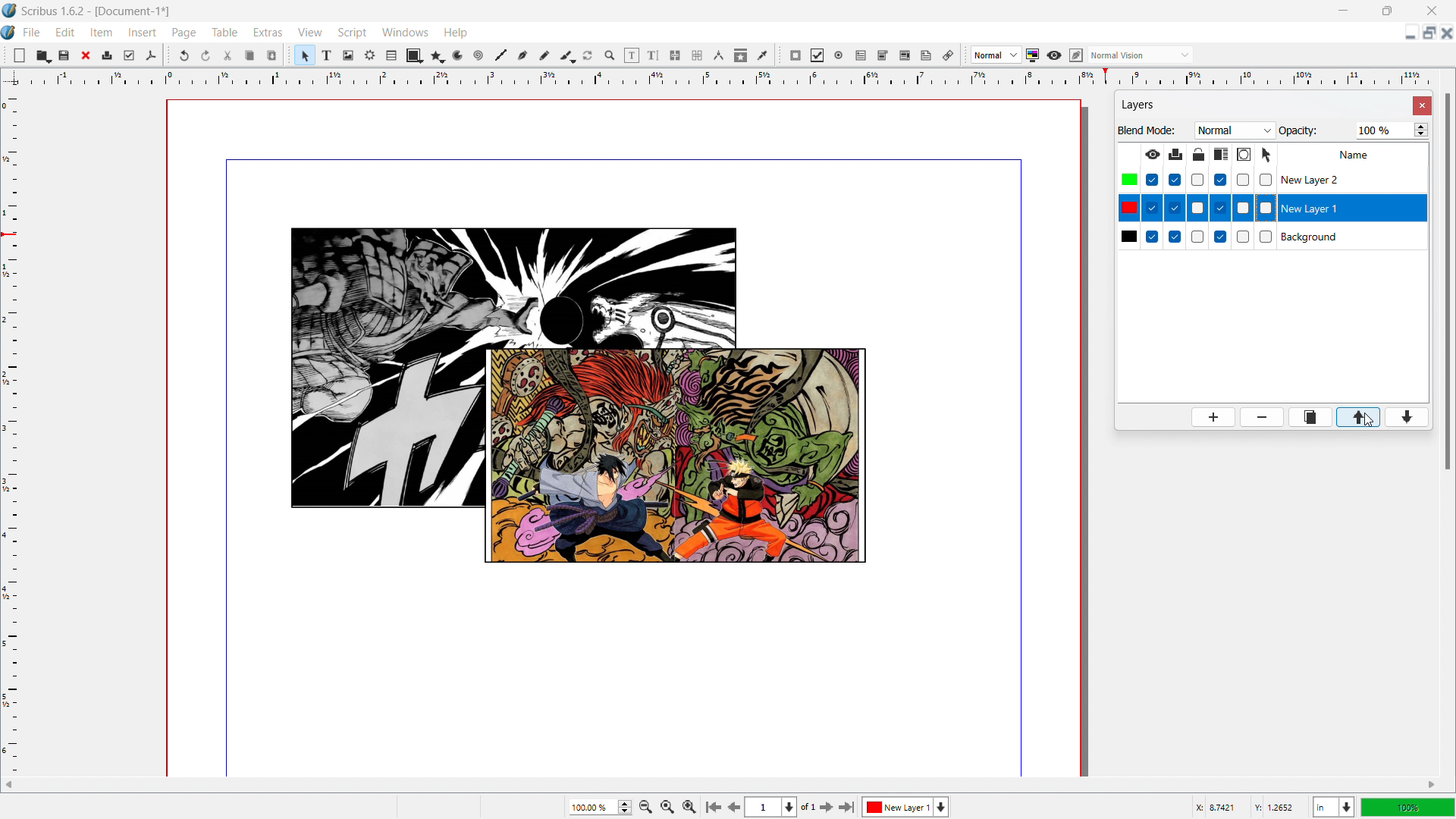 This screenshot has height=819, width=1456. I want to click on move layer up, so click(1357, 417).